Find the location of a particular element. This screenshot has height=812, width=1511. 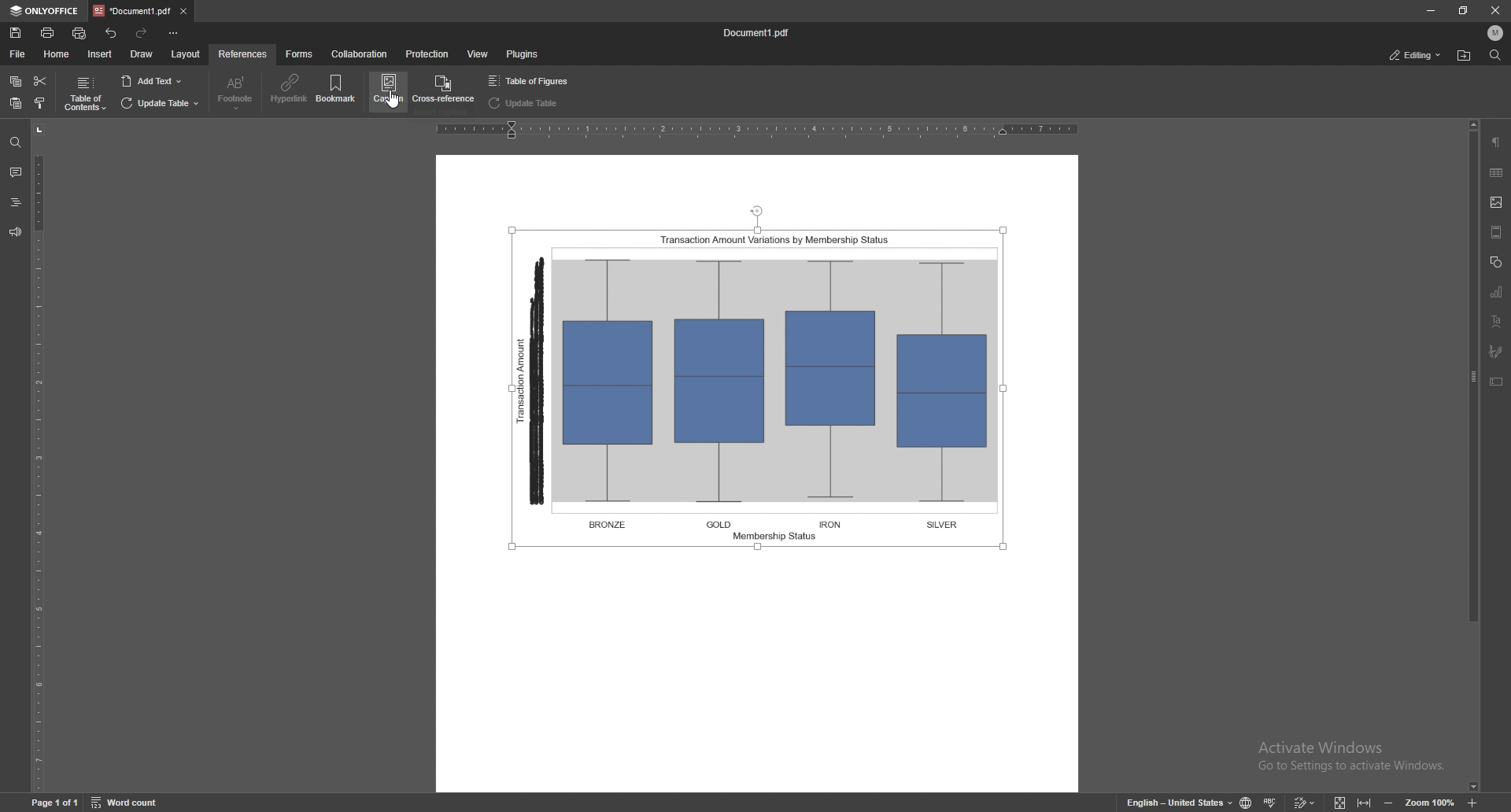

zoom out is located at coordinates (1389, 801).